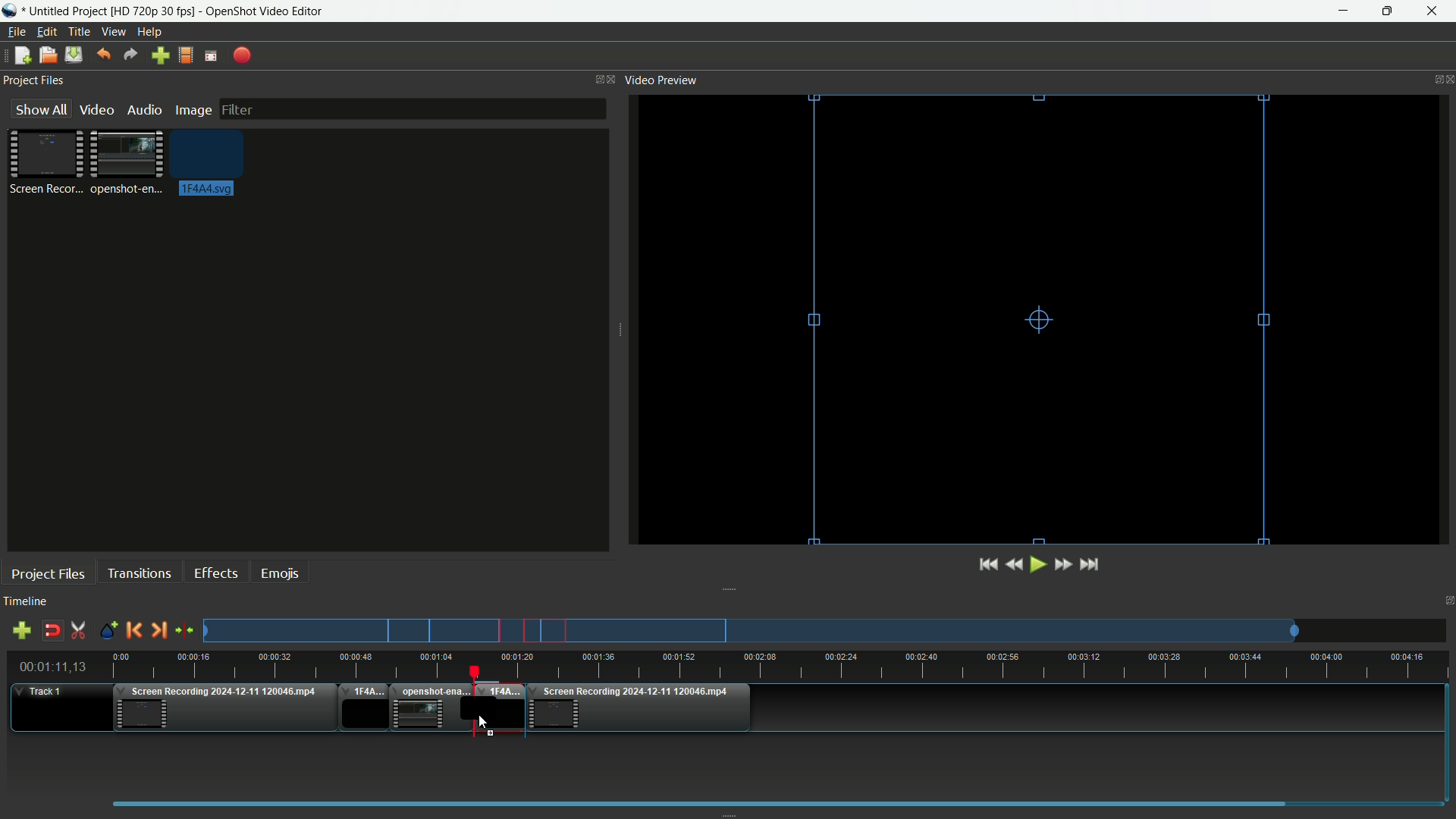  I want to click on cursor, so click(480, 724).